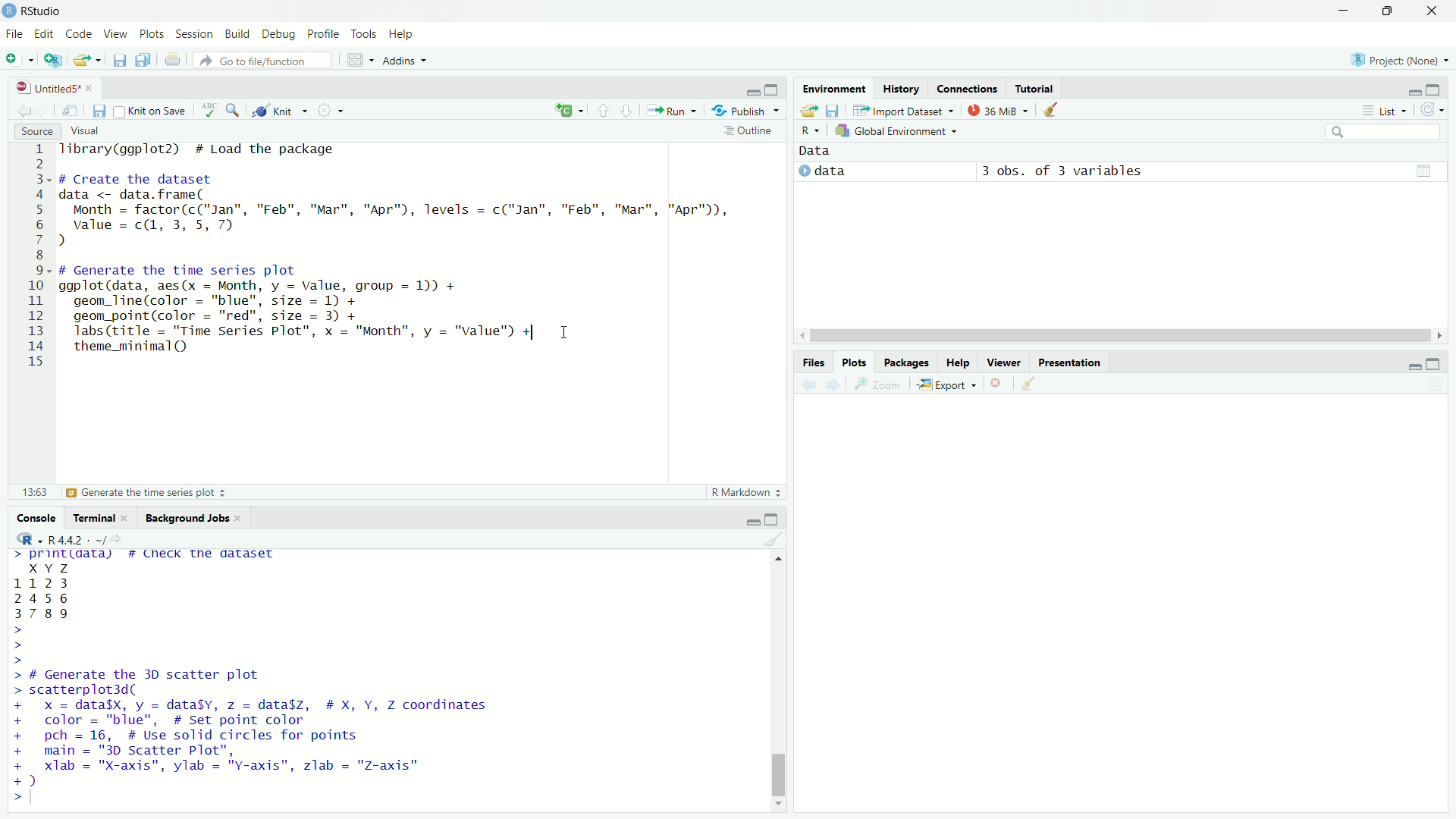 Image resolution: width=1456 pixels, height=819 pixels. What do you see at coordinates (91, 516) in the screenshot?
I see `terminal` at bounding box center [91, 516].